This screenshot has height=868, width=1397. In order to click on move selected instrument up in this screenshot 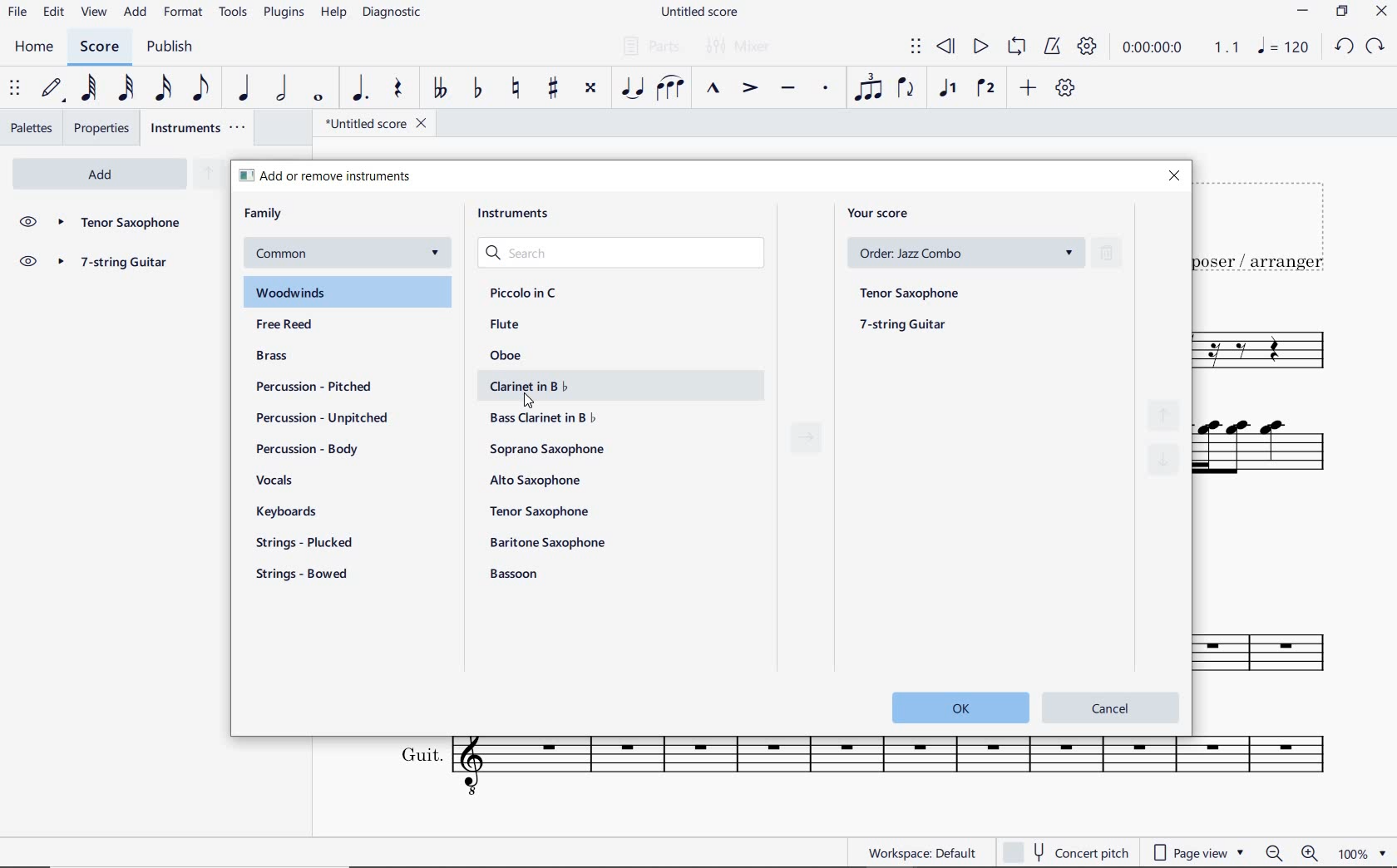, I will do `click(1168, 410)`.